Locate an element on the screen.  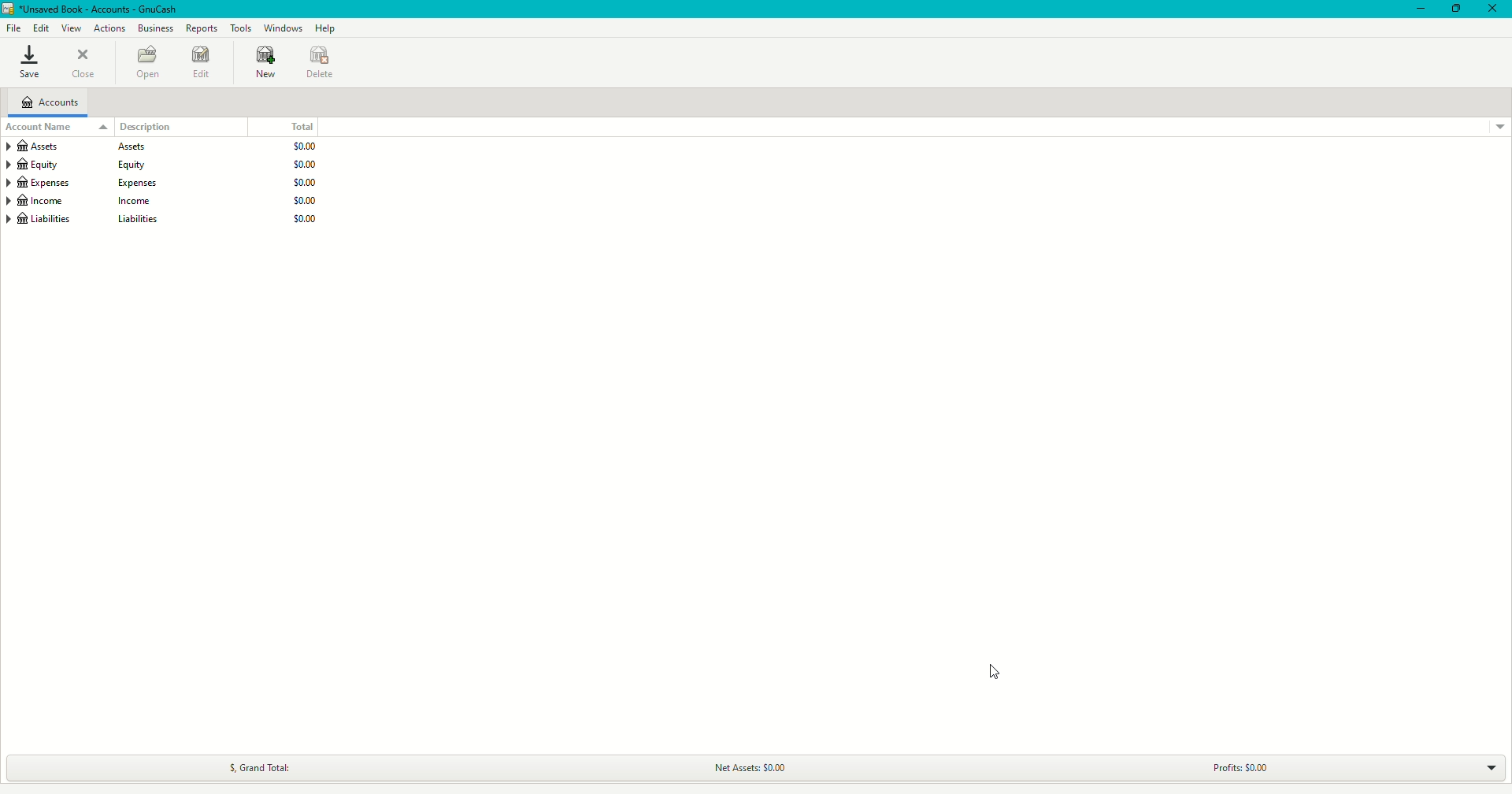
New is located at coordinates (263, 64).